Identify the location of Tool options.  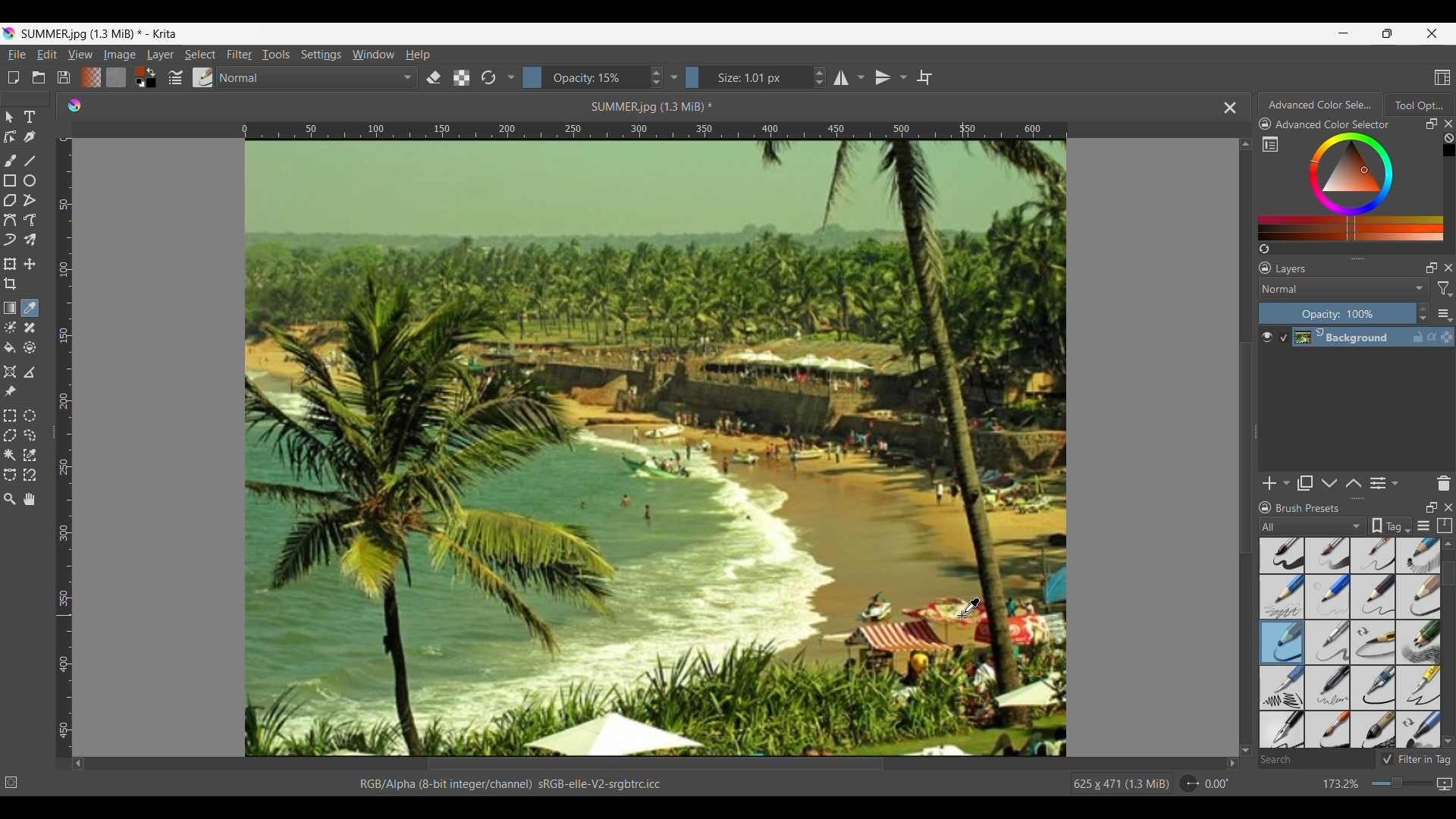
(1419, 105).